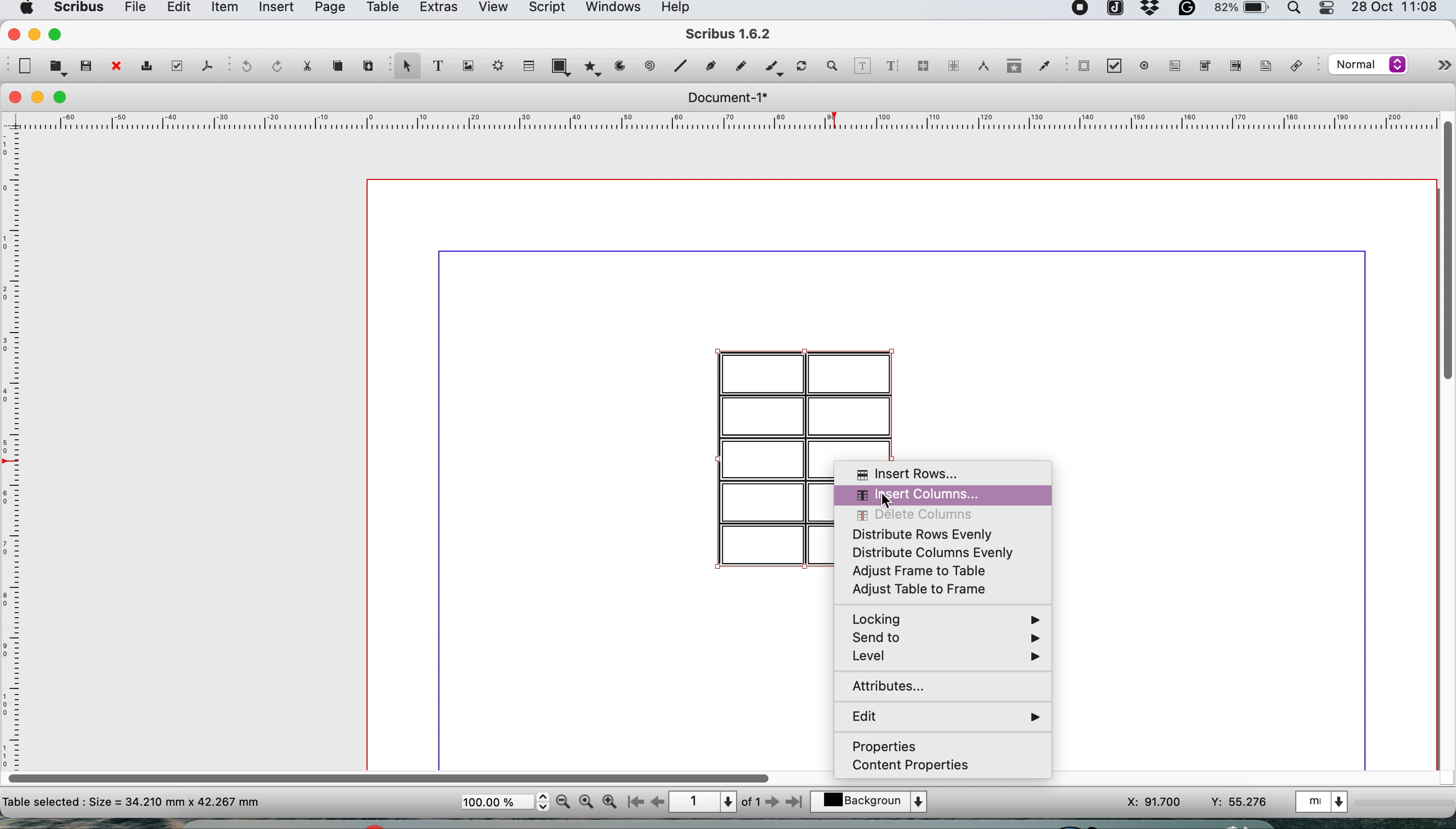 Image resolution: width=1456 pixels, height=829 pixels. Describe the element at coordinates (565, 802) in the screenshot. I see `zoom out` at that location.